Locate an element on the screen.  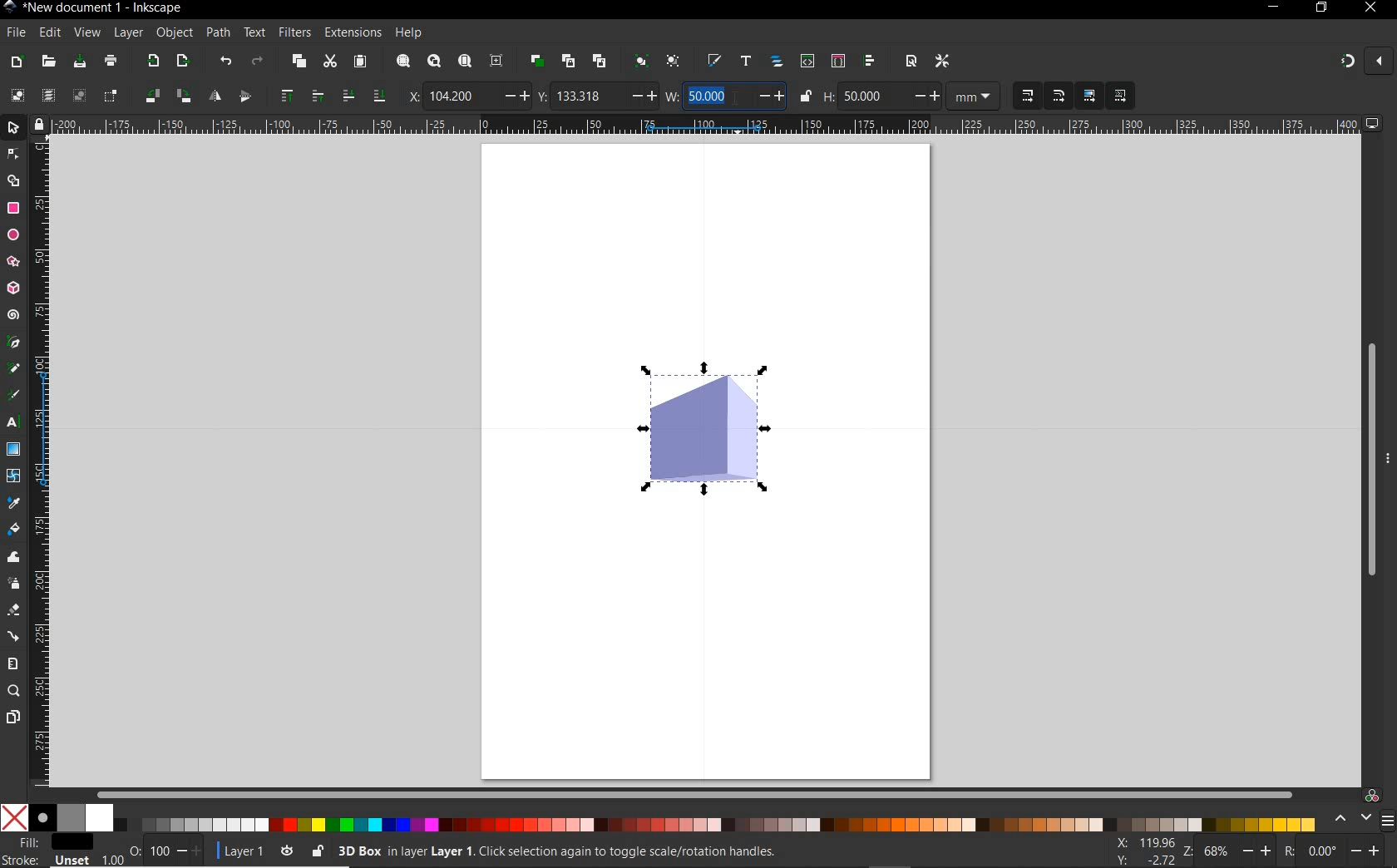
0 is located at coordinates (1321, 851).